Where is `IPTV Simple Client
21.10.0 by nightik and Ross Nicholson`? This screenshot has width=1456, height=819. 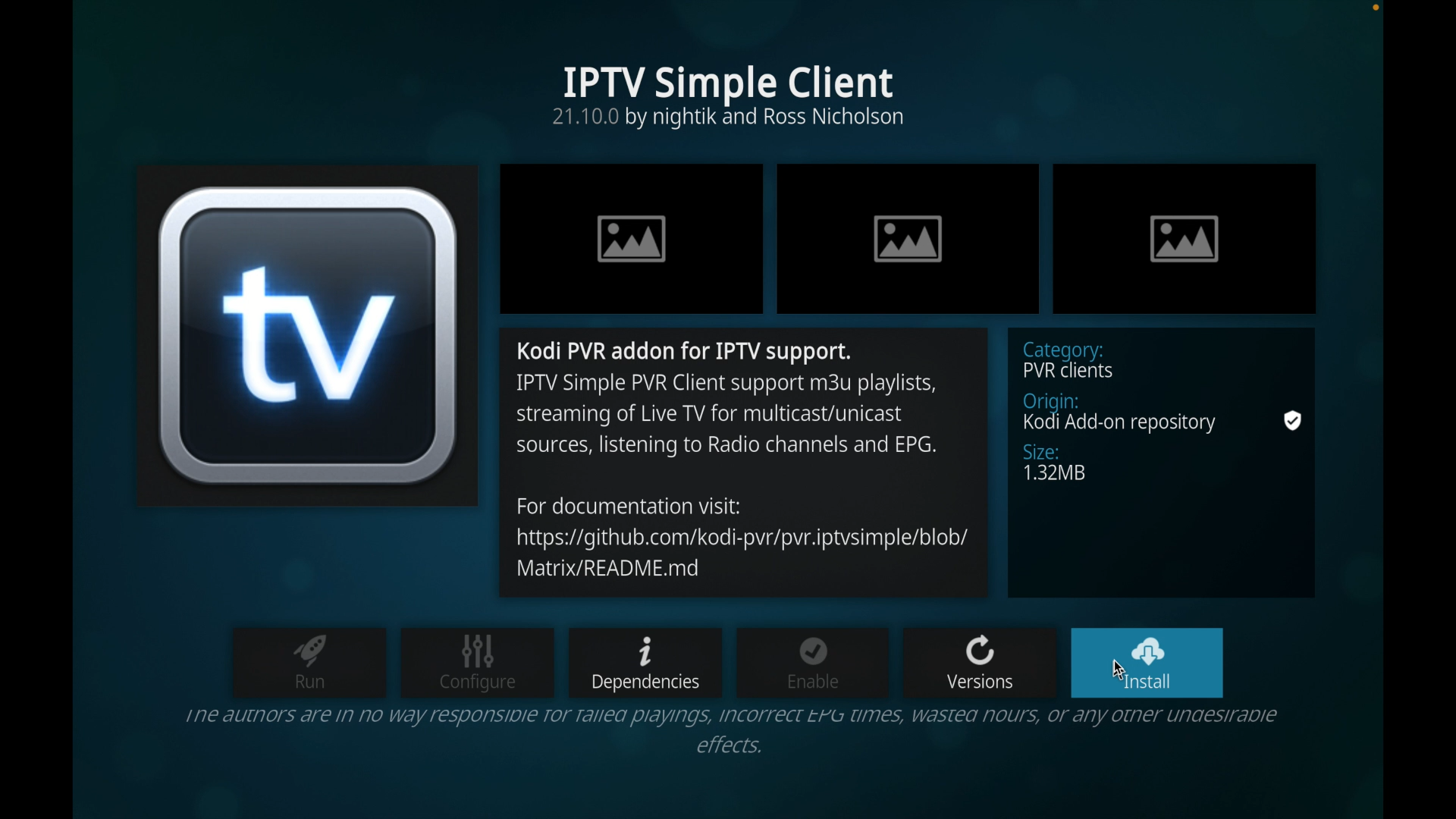 IPTV Simple Client
21.10.0 by nightik and Ross Nicholson is located at coordinates (739, 94).